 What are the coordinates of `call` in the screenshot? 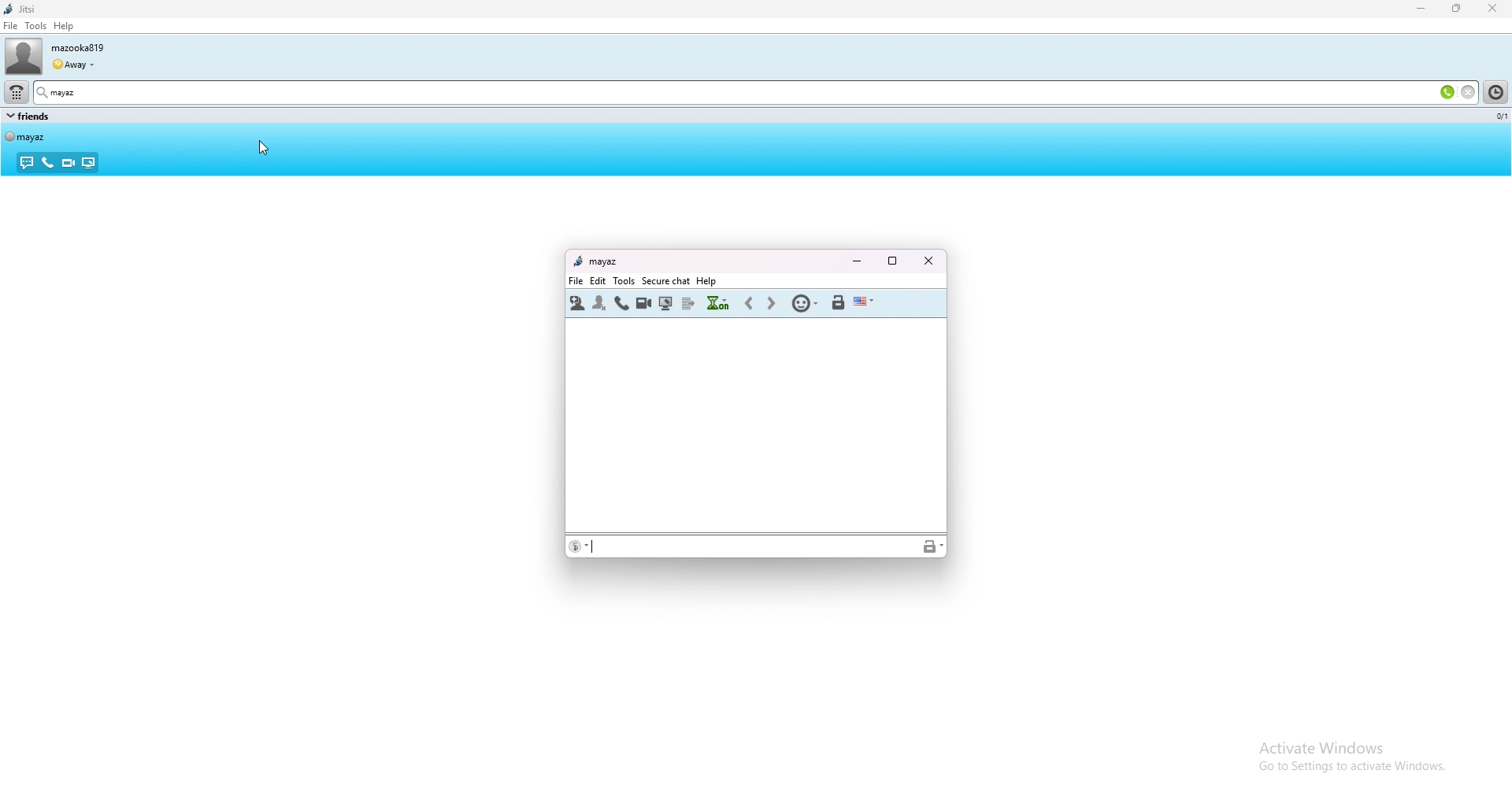 It's located at (1447, 91).